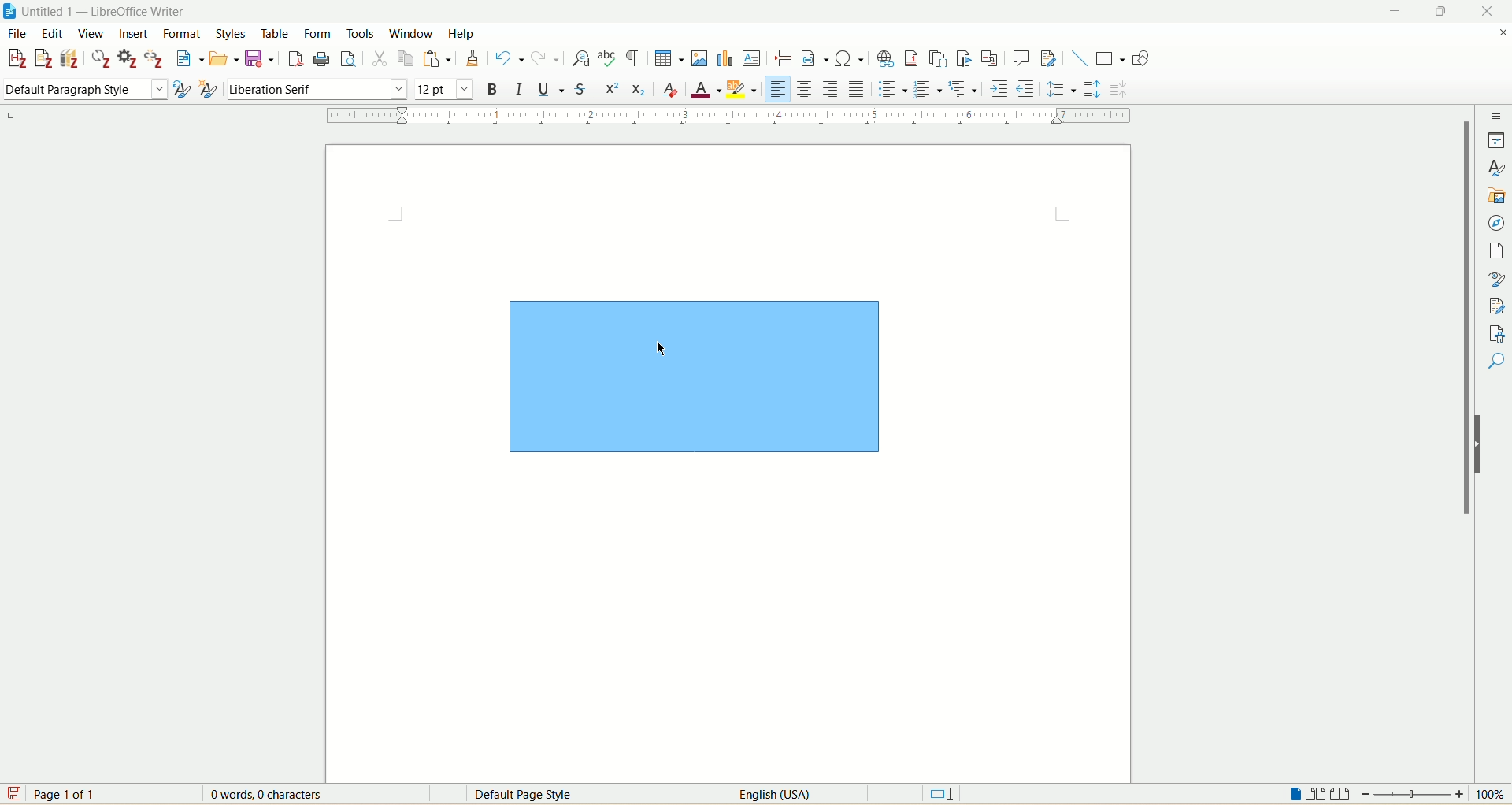 This screenshot has width=1512, height=805. What do you see at coordinates (885, 59) in the screenshot?
I see `insert hyperlink` at bounding box center [885, 59].